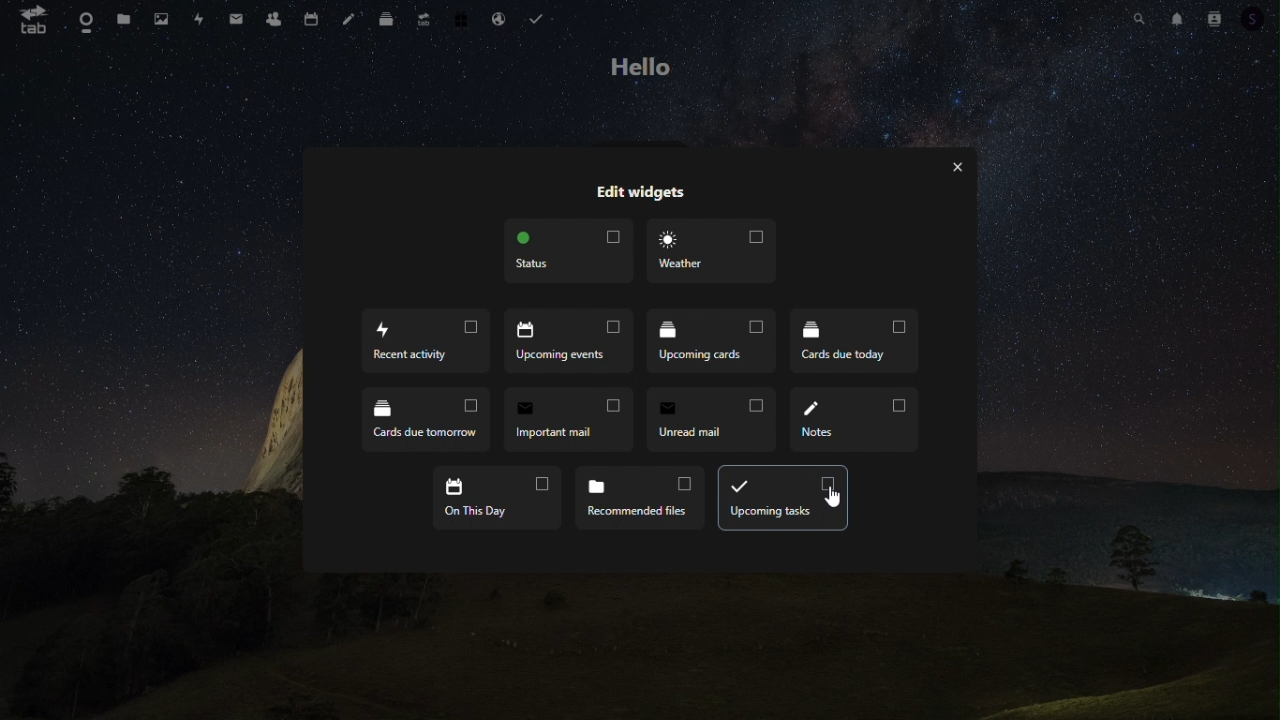 This screenshot has height=720, width=1280. What do you see at coordinates (853, 418) in the screenshot?
I see `notes` at bounding box center [853, 418].